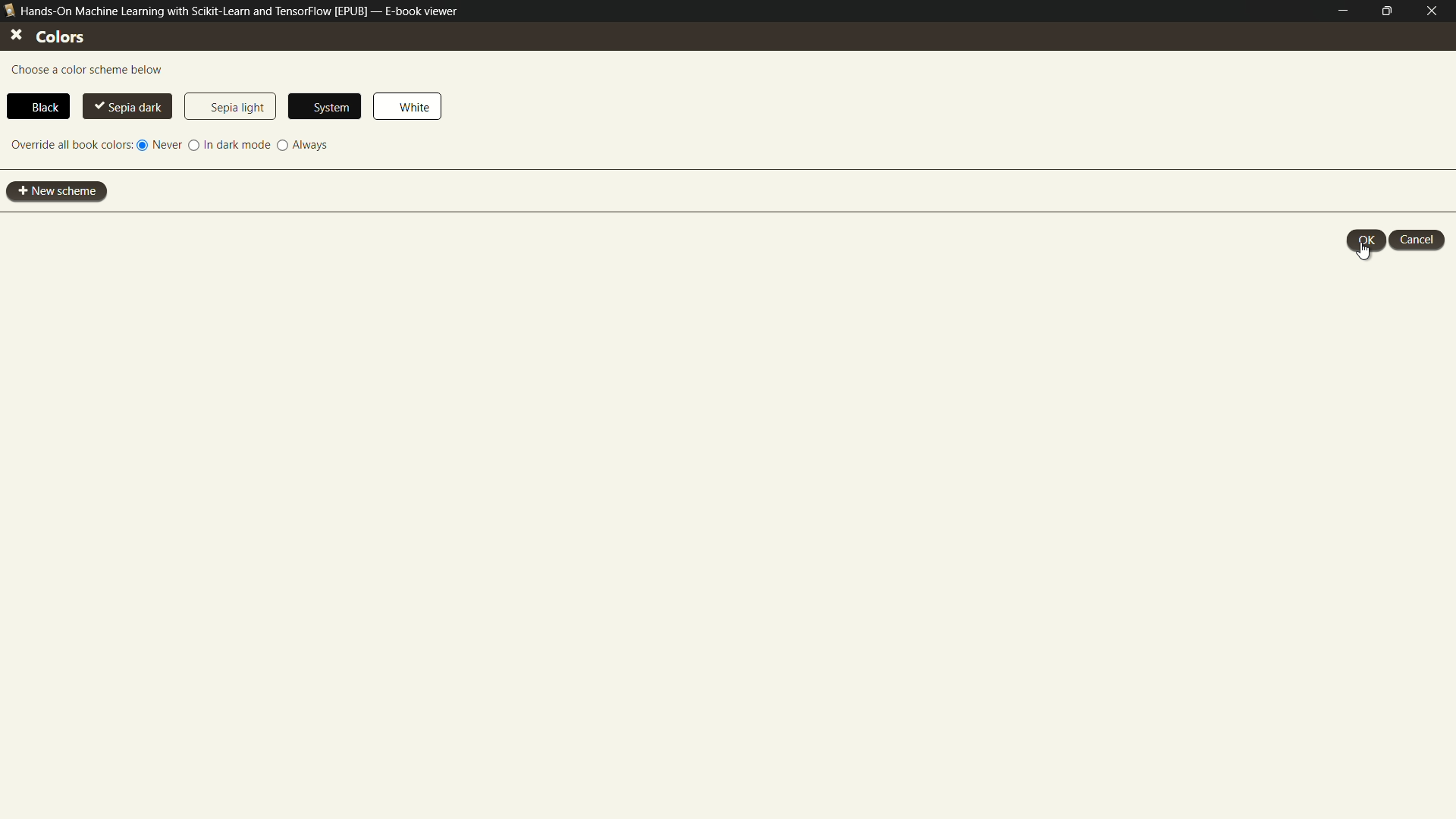 This screenshot has height=819, width=1456. What do you see at coordinates (230, 146) in the screenshot?
I see `in dark mode` at bounding box center [230, 146].